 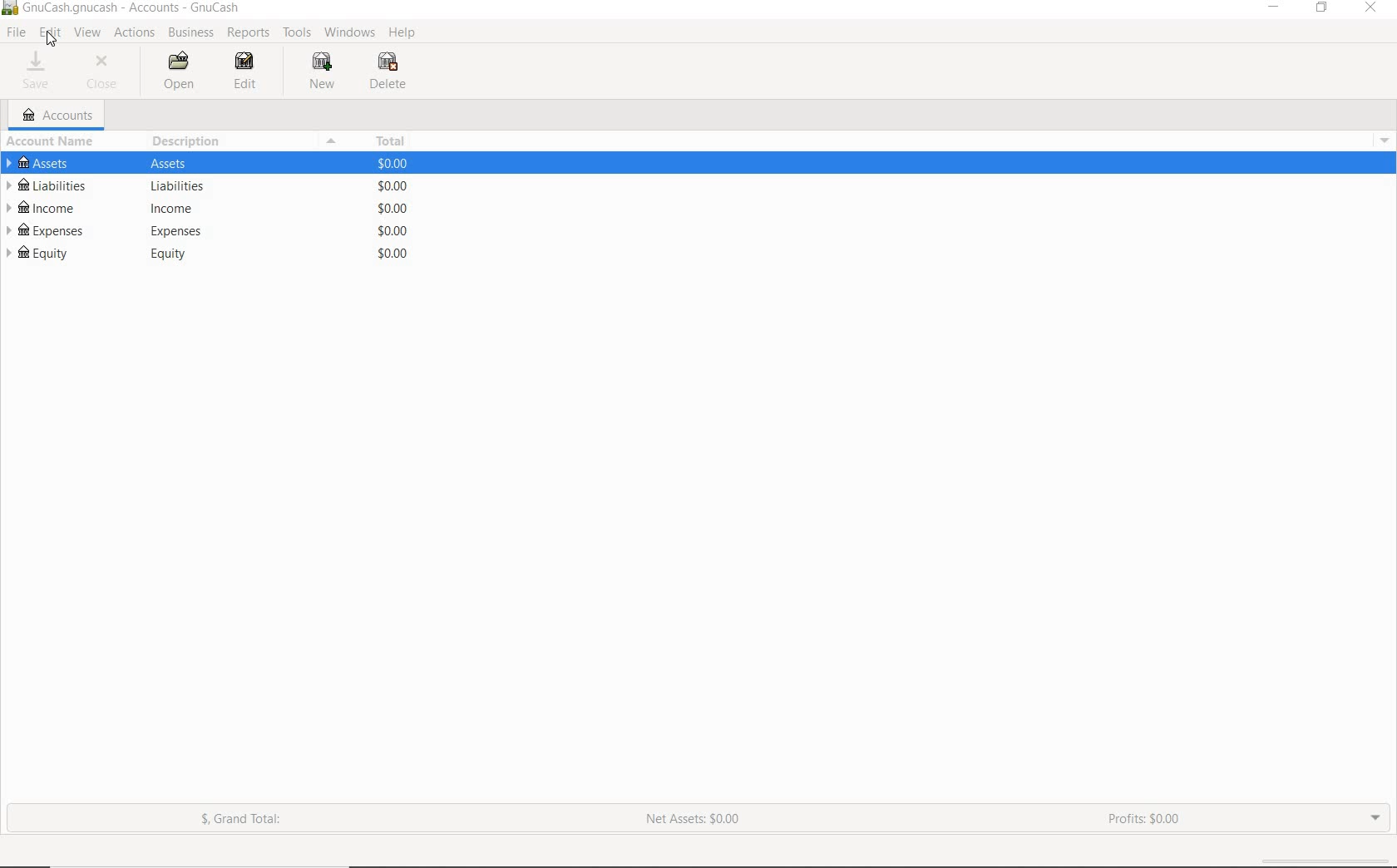 I want to click on WINDOWS, so click(x=353, y=32).